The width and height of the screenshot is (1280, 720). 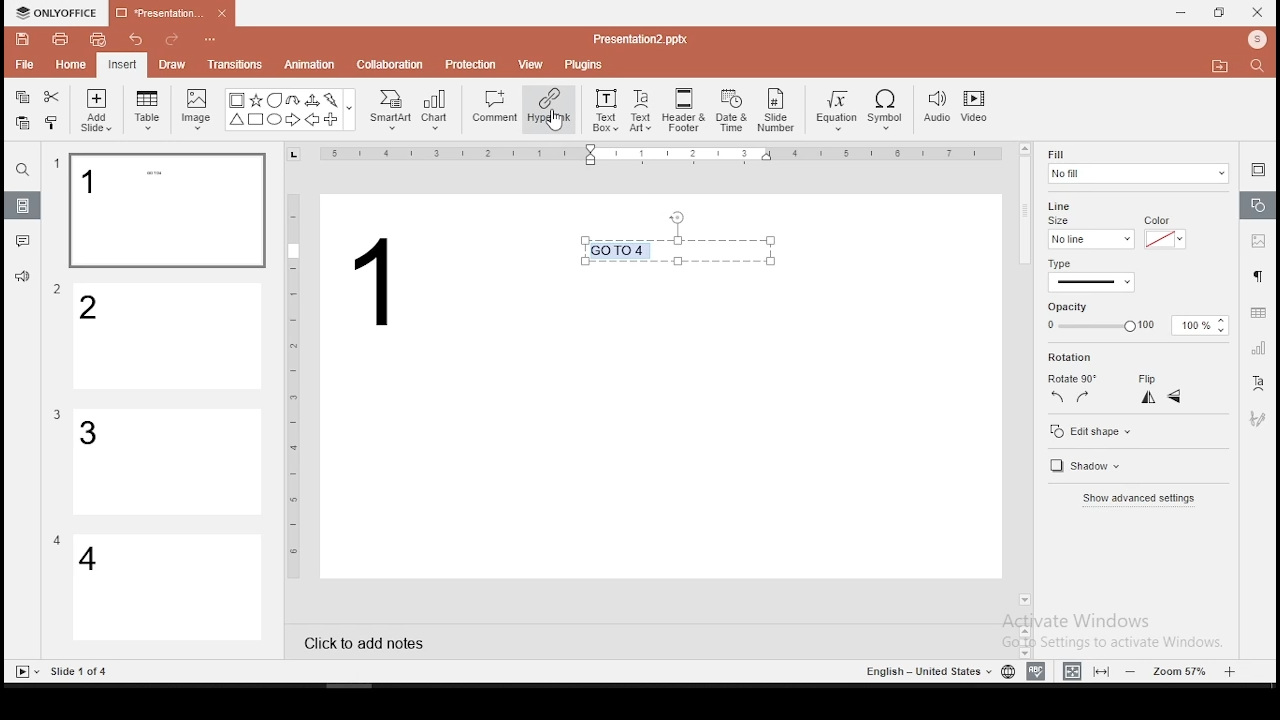 I want to click on Language, so click(x=925, y=672).